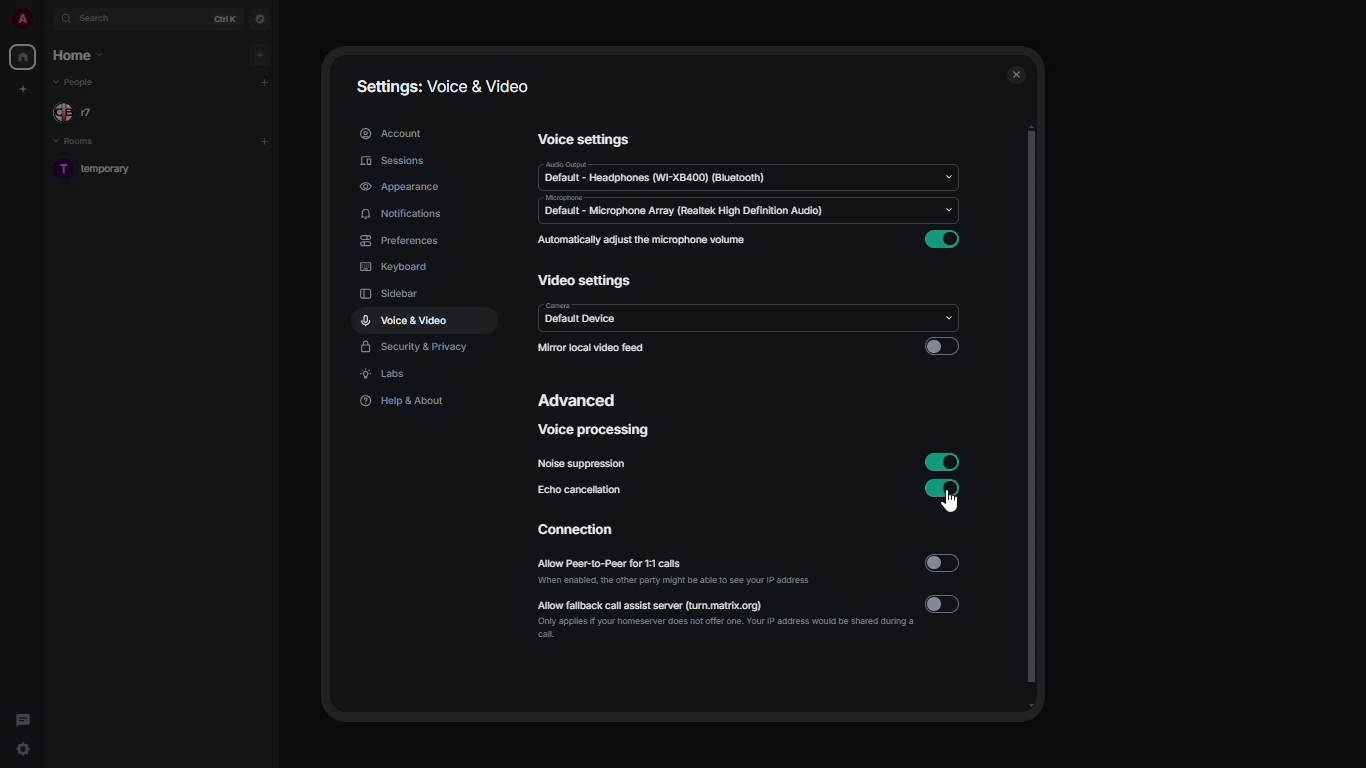 The height and width of the screenshot is (768, 1366). I want to click on add, so click(264, 139).